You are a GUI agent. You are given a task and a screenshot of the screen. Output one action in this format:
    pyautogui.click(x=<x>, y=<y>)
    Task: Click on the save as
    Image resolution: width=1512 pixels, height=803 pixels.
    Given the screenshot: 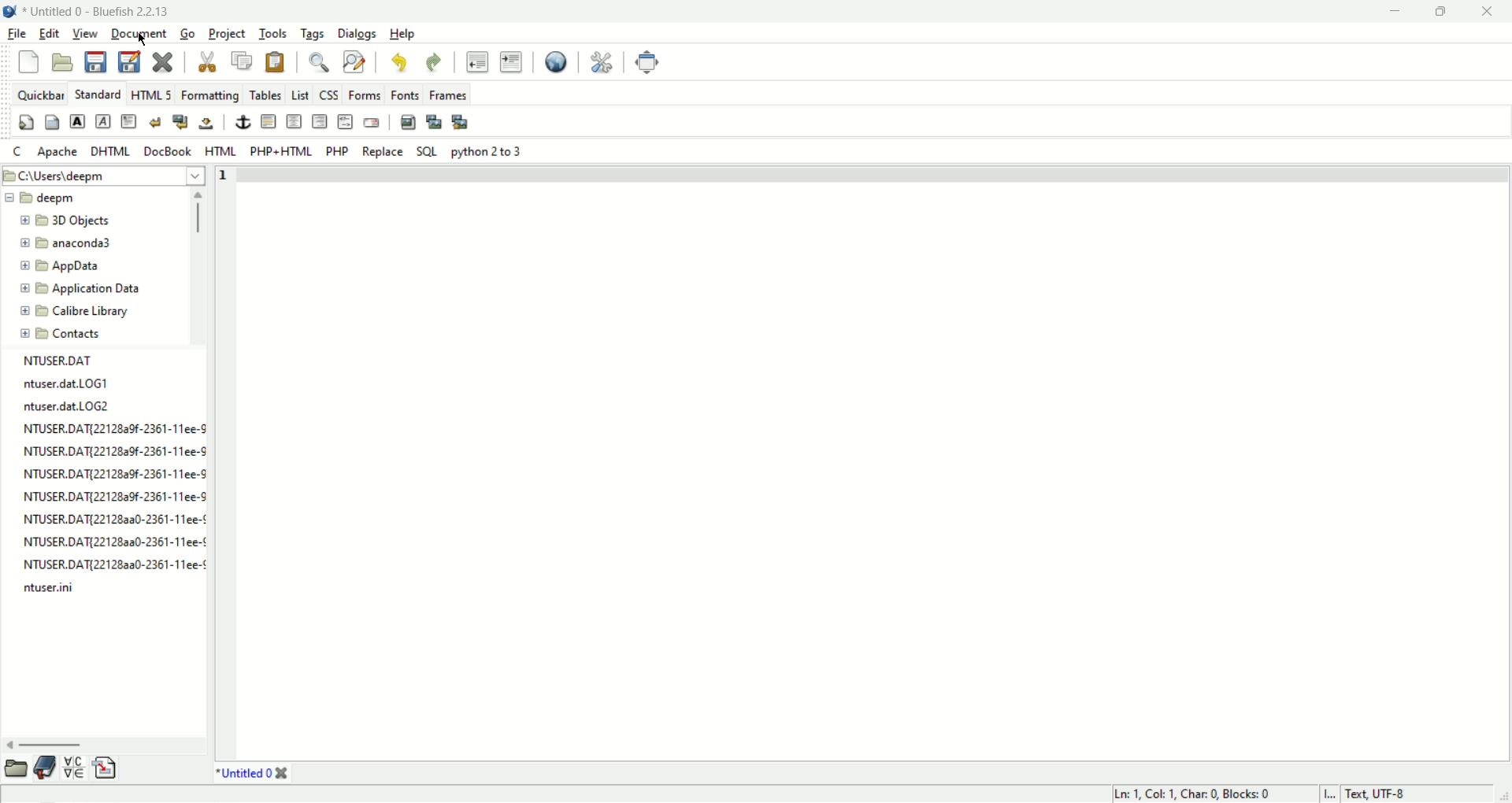 What is the action you would take?
    pyautogui.click(x=130, y=61)
    